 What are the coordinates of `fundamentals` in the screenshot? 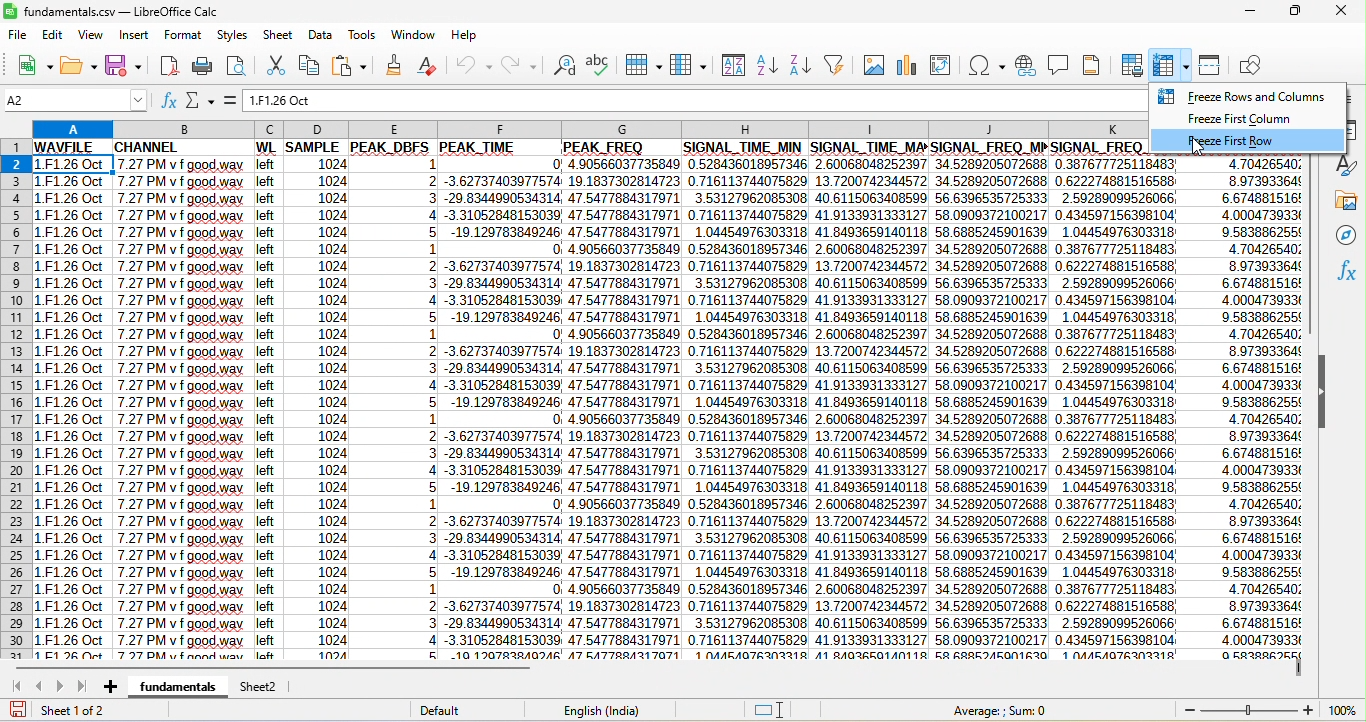 It's located at (181, 687).